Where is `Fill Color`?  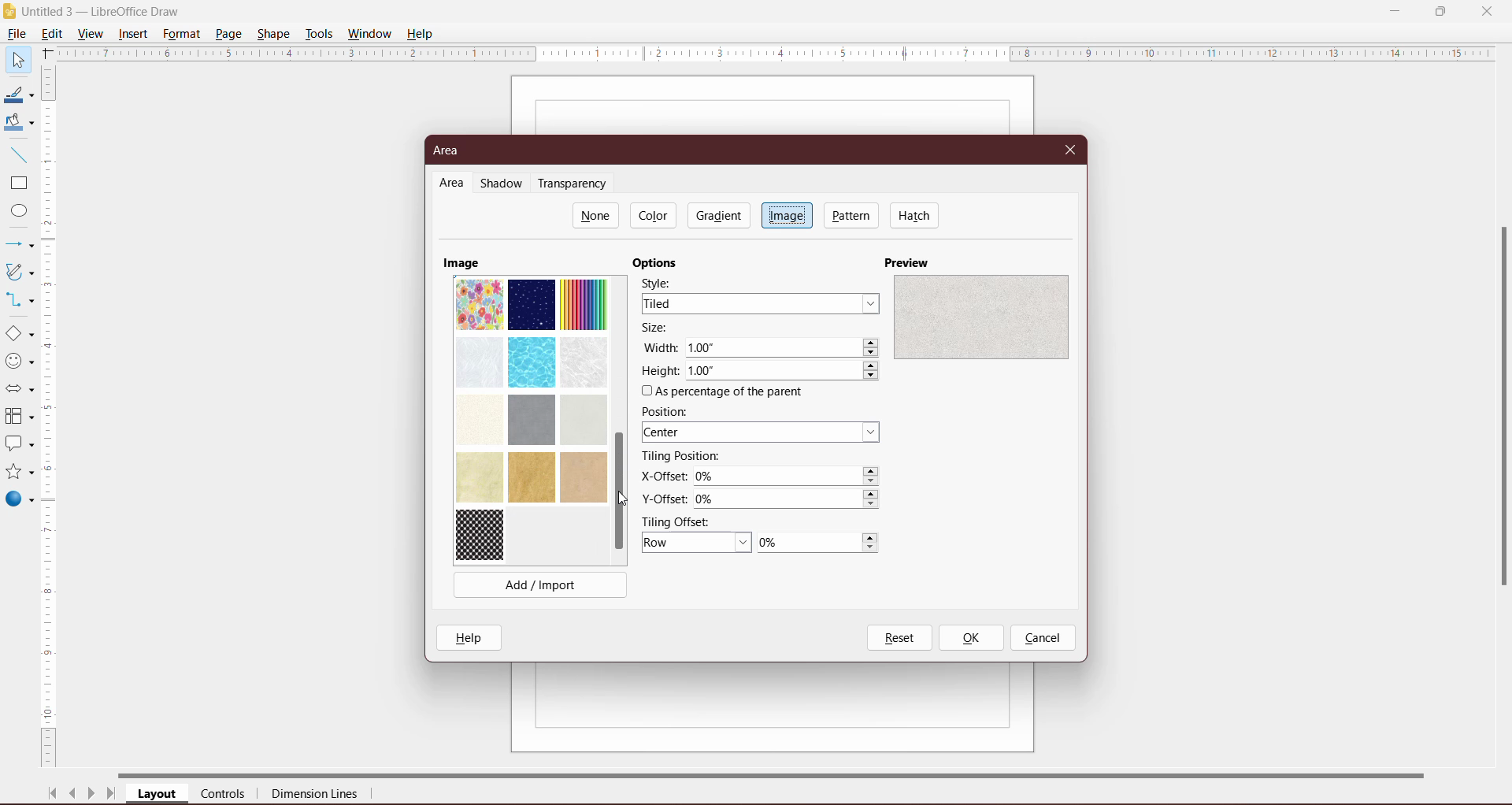
Fill Color is located at coordinates (16, 123).